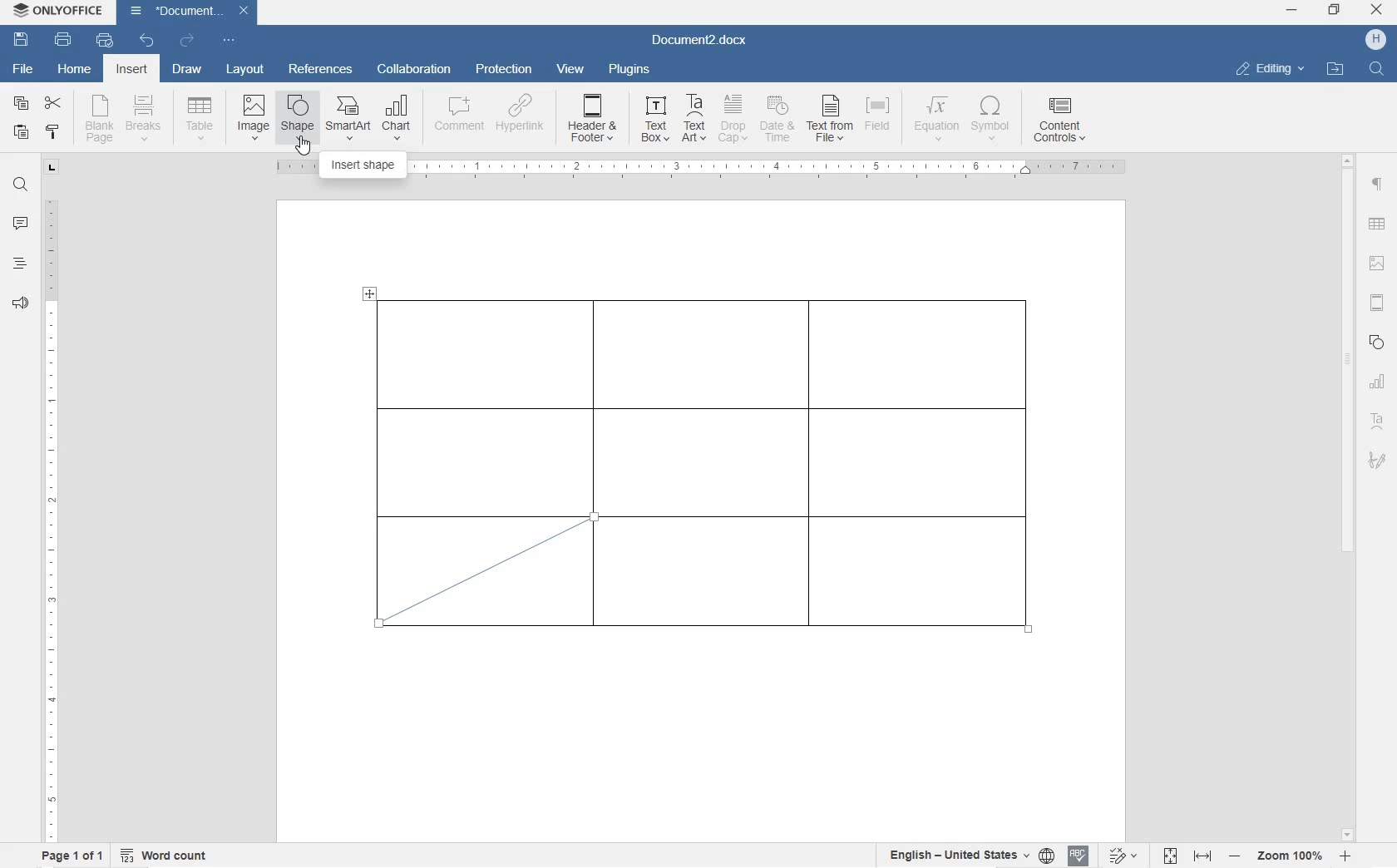  Describe the element at coordinates (189, 12) in the screenshot. I see `Document3.docx` at that location.